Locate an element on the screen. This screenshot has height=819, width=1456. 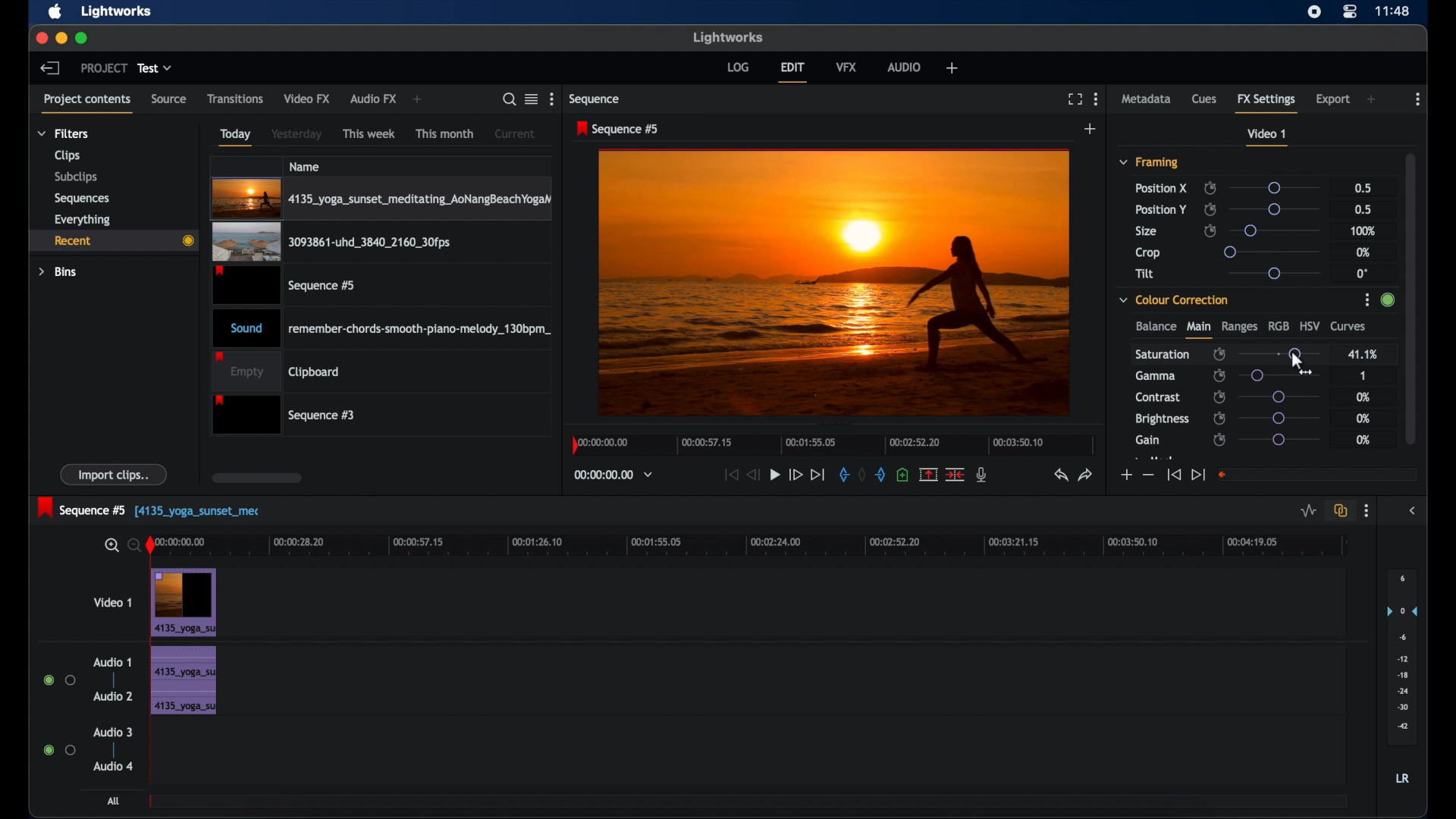
log is located at coordinates (738, 66).